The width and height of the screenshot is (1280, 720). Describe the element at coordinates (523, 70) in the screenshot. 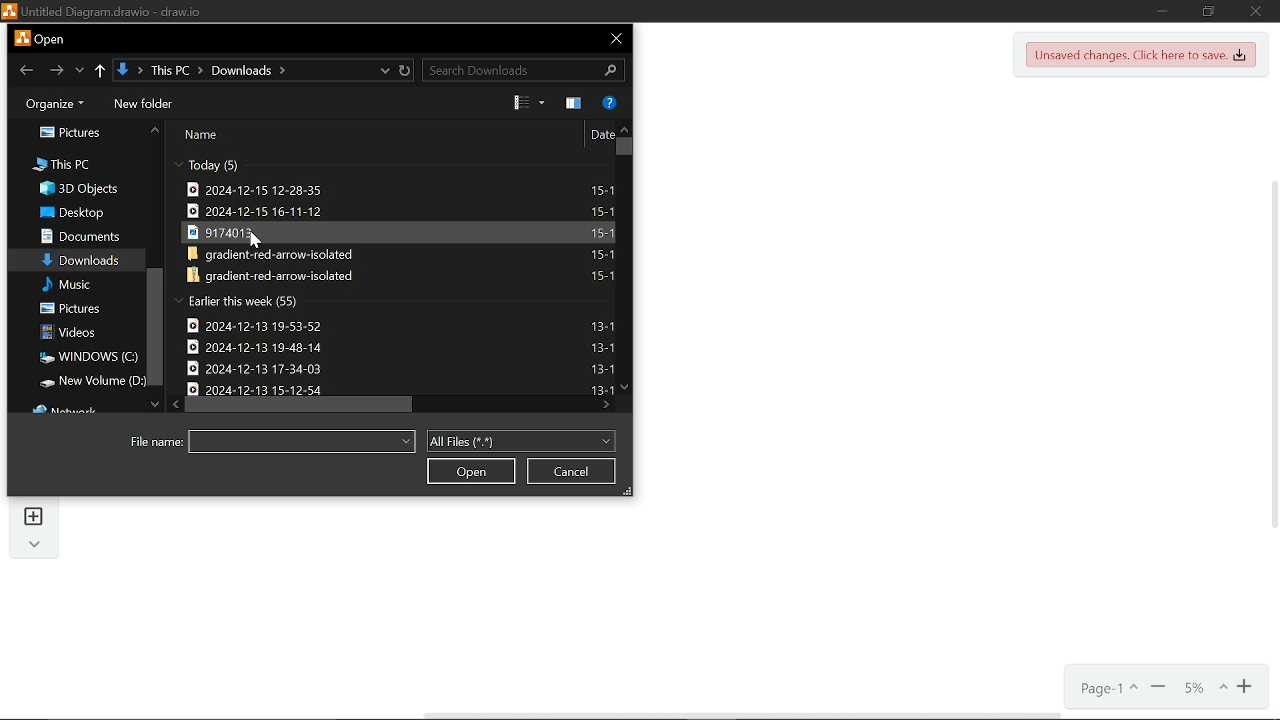

I see `Search` at that location.